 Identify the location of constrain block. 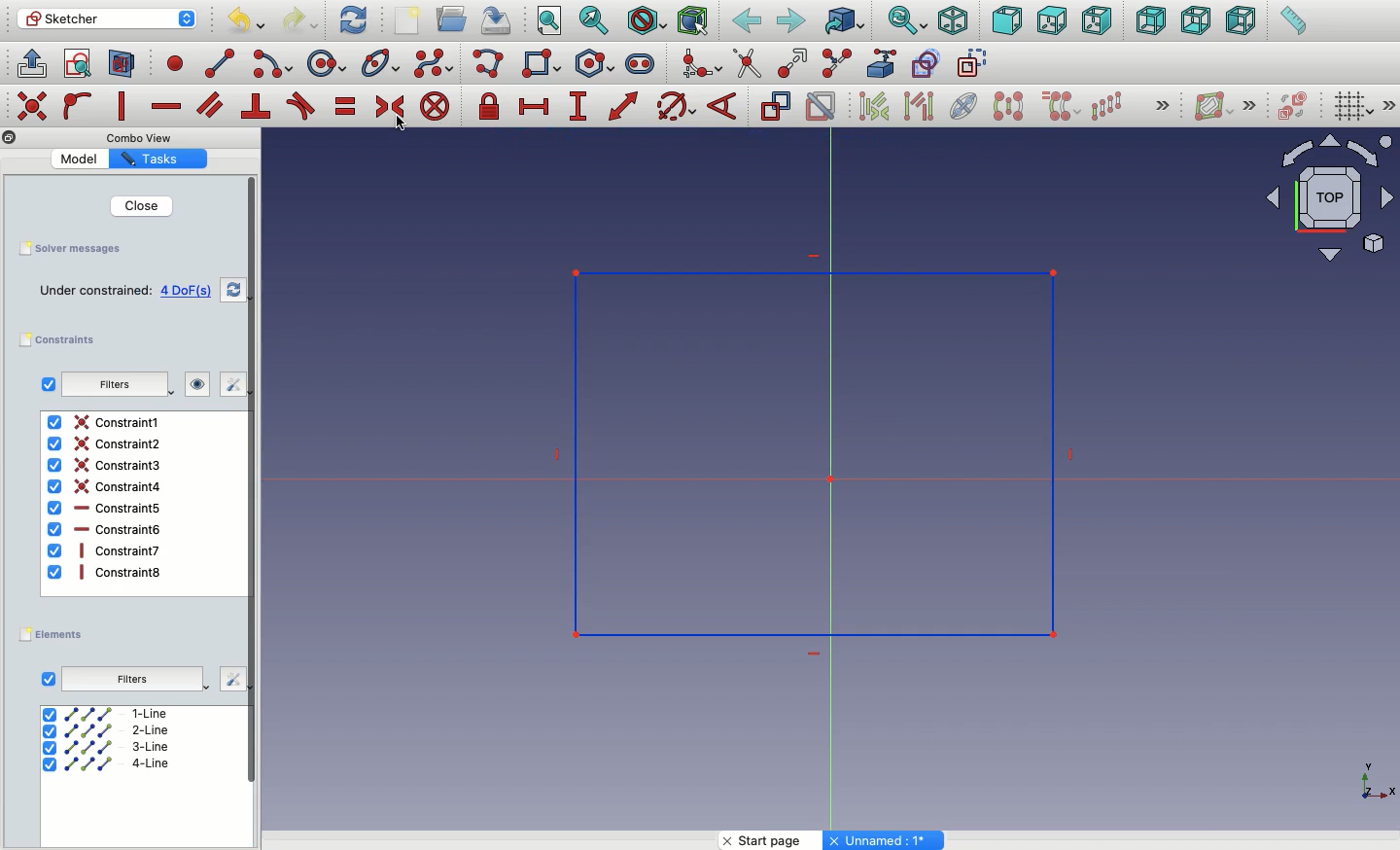
(434, 106).